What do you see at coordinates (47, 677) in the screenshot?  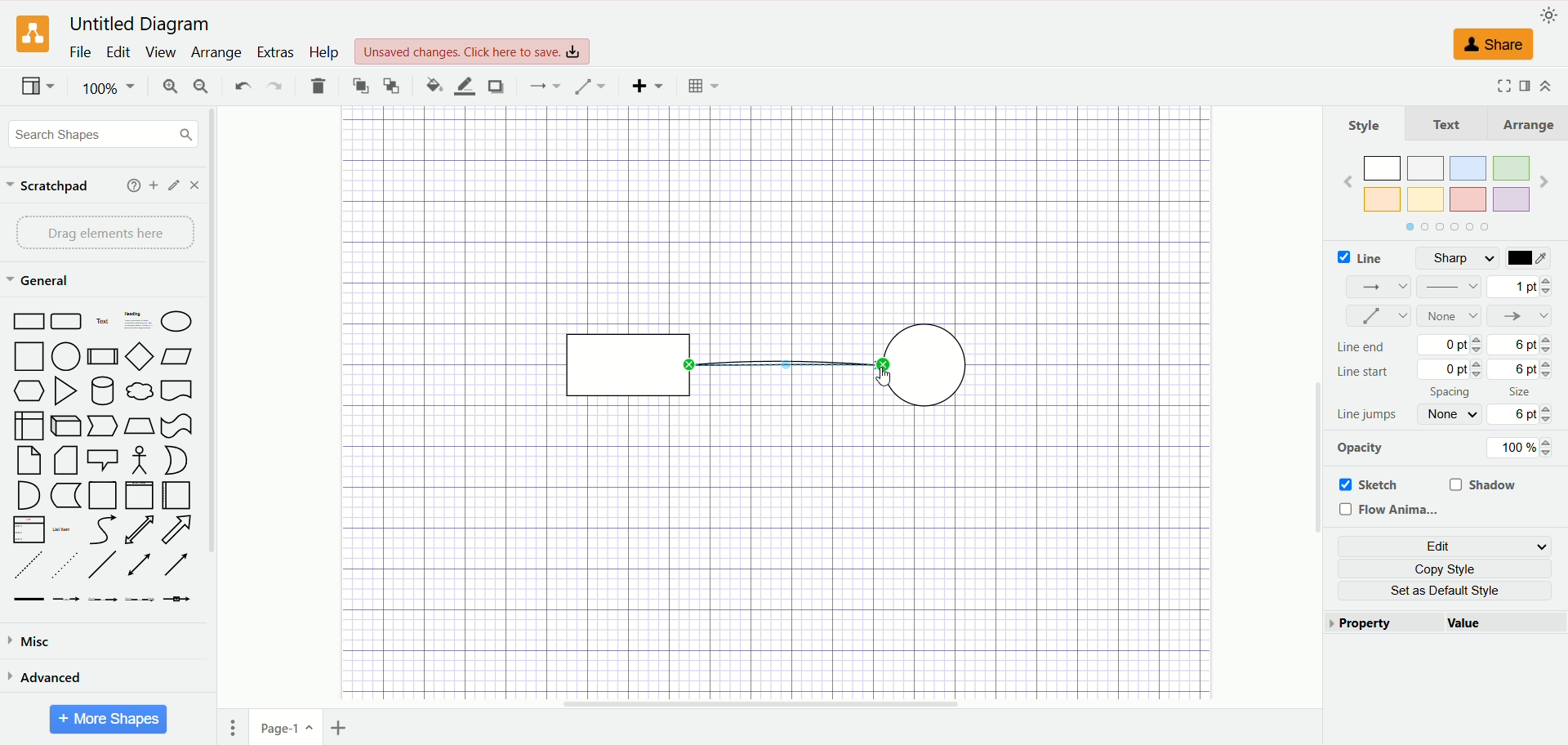 I see `advanced` at bounding box center [47, 677].